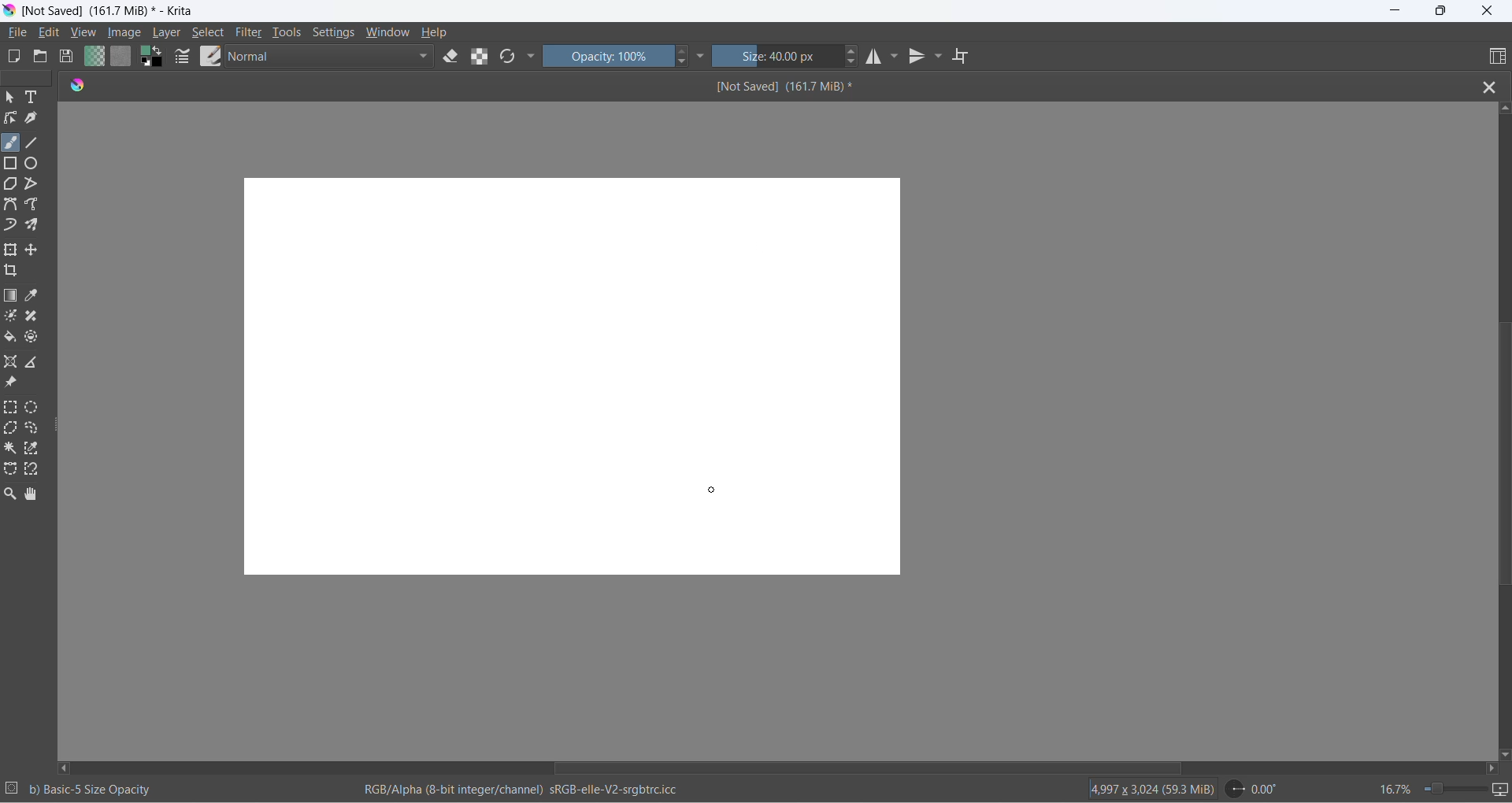  What do you see at coordinates (16, 57) in the screenshot?
I see `new document` at bounding box center [16, 57].